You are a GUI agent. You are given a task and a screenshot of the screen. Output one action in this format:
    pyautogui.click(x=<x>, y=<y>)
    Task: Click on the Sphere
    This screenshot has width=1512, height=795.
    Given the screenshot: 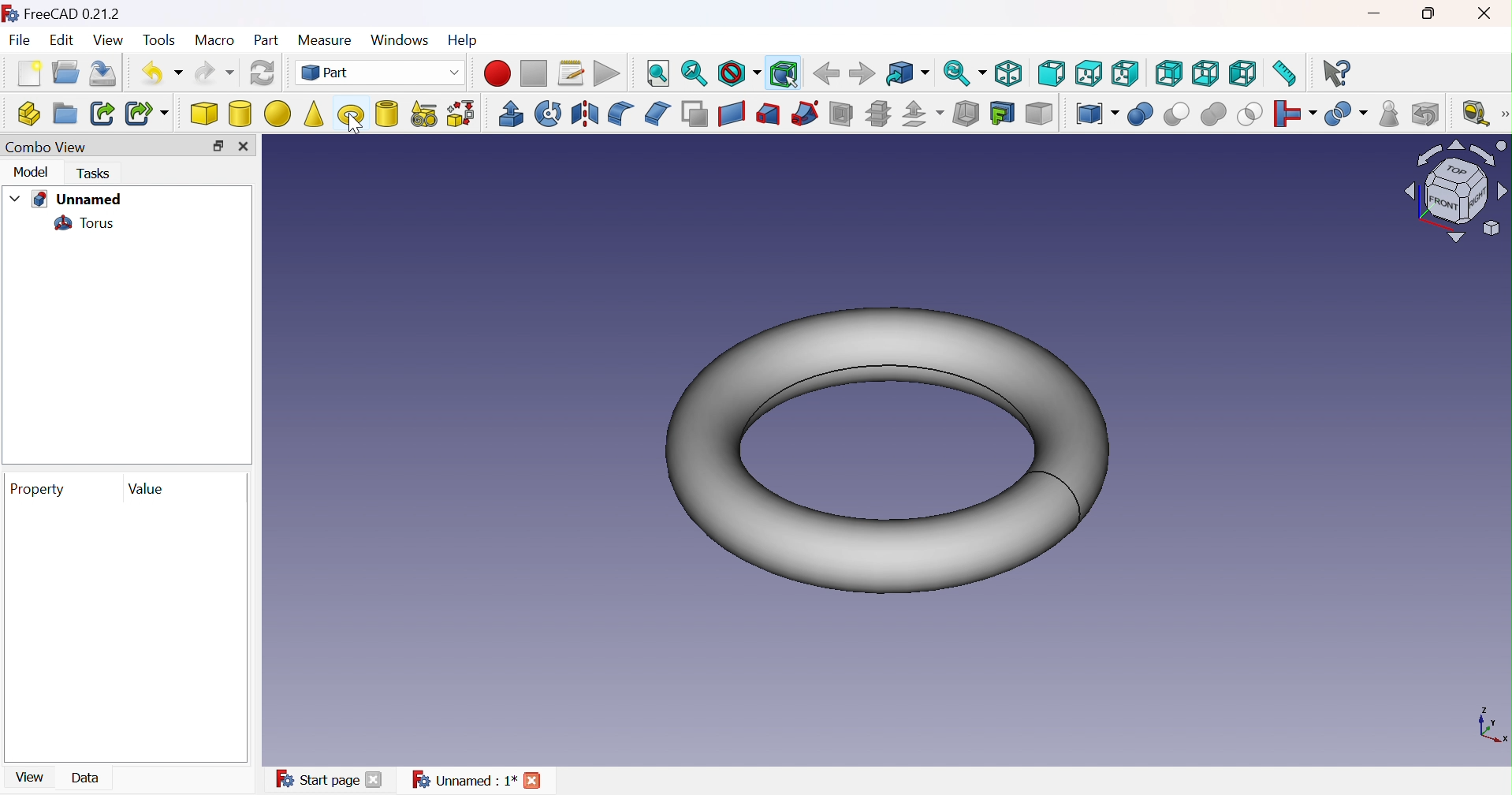 What is the action you would take?
    pyautogui.click(x=277, y=114)
    